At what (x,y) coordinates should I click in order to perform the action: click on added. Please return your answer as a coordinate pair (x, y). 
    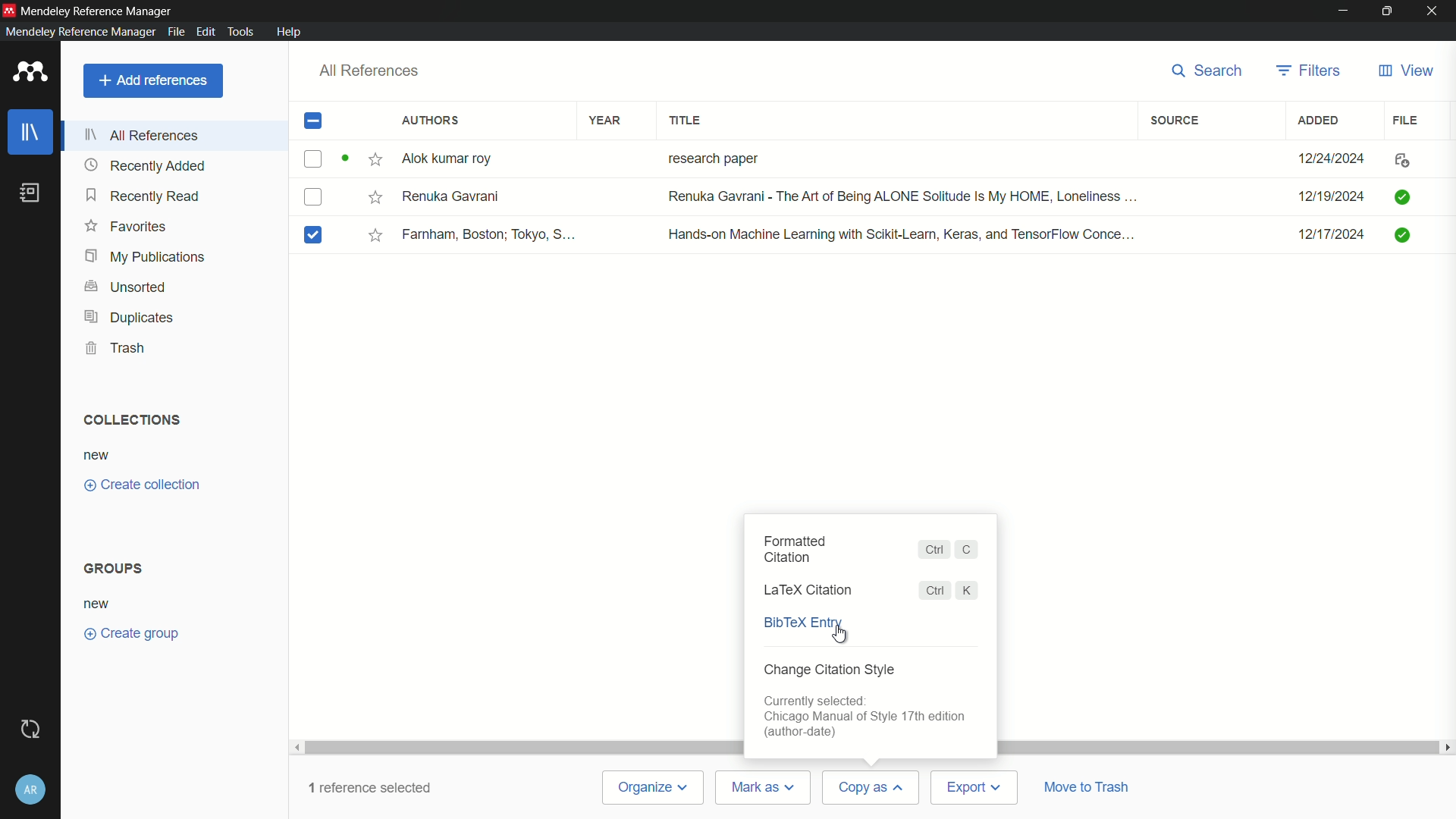
    Looking at the image, I should click on (1319, 121).